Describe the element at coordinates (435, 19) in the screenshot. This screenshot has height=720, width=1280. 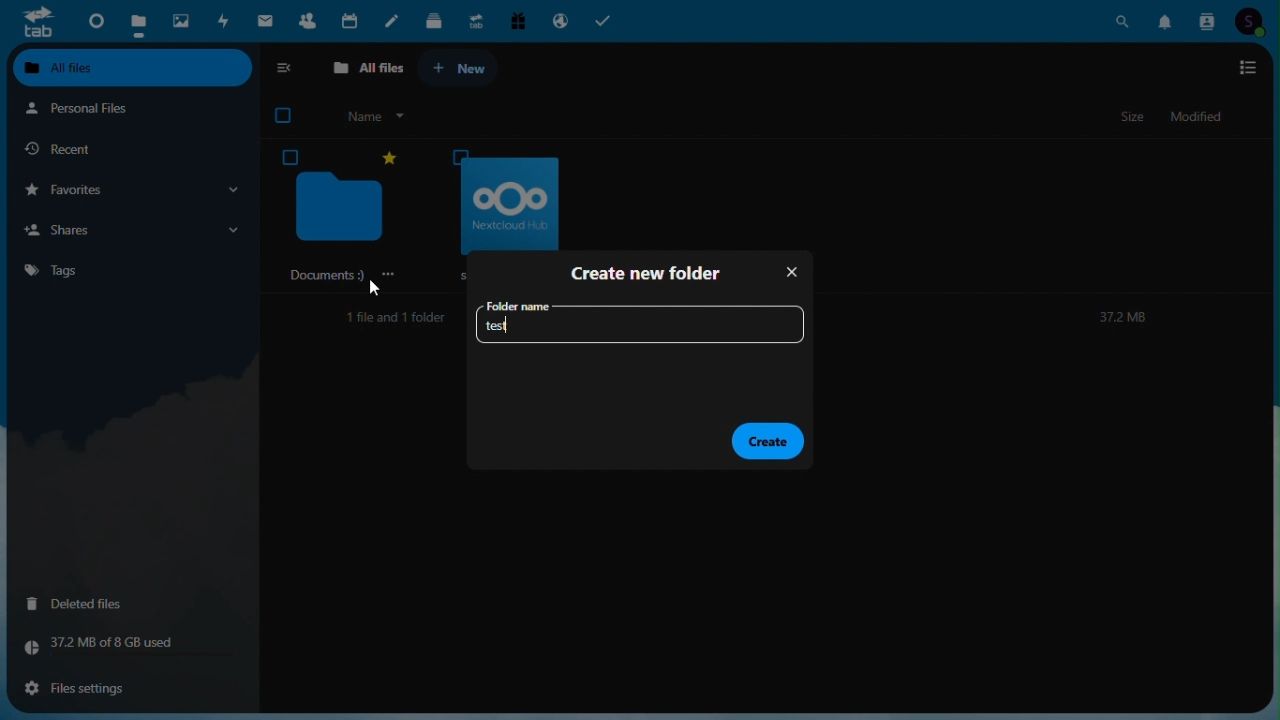
I see `deck` at that location.